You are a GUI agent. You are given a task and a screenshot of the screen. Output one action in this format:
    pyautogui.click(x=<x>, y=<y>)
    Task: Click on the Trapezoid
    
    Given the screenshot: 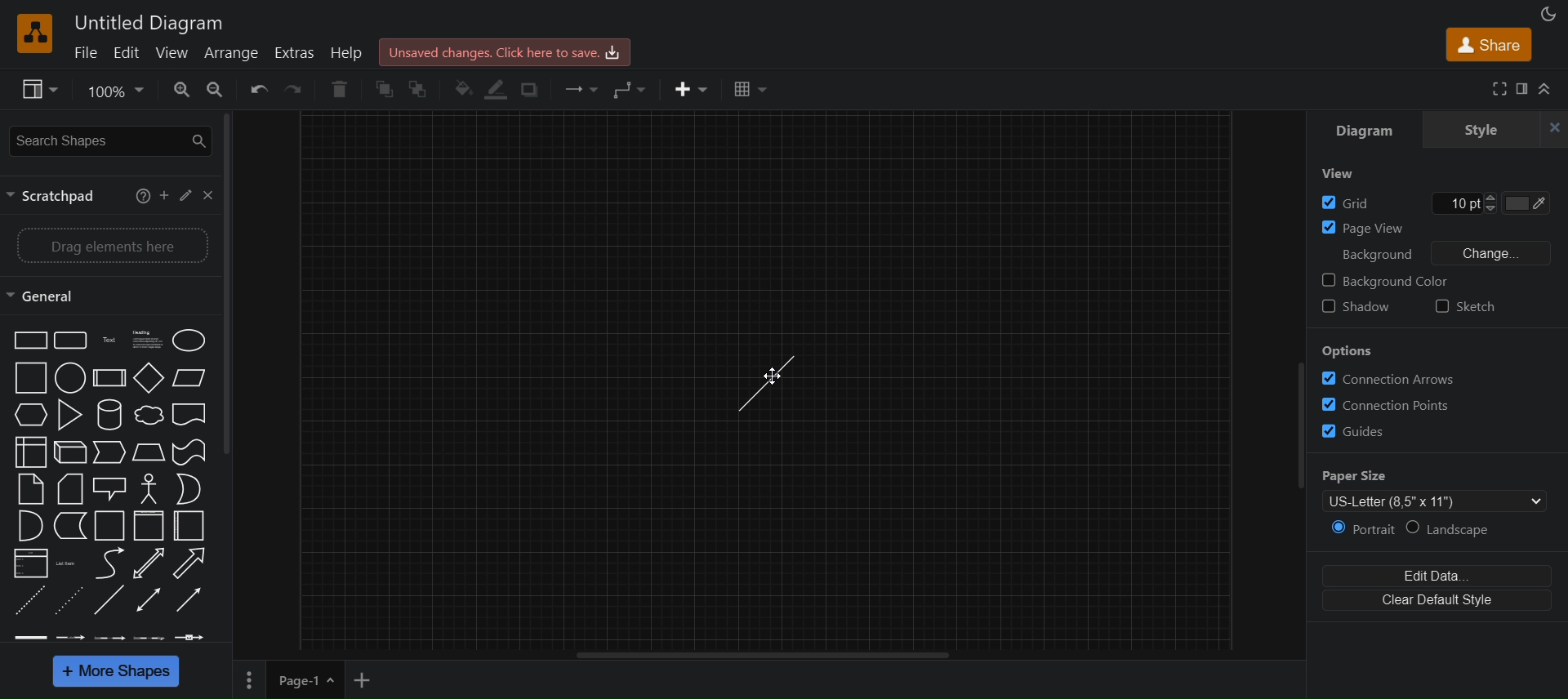 What is the action you would take?
    pyautogui.click(x=147, y=452)
    